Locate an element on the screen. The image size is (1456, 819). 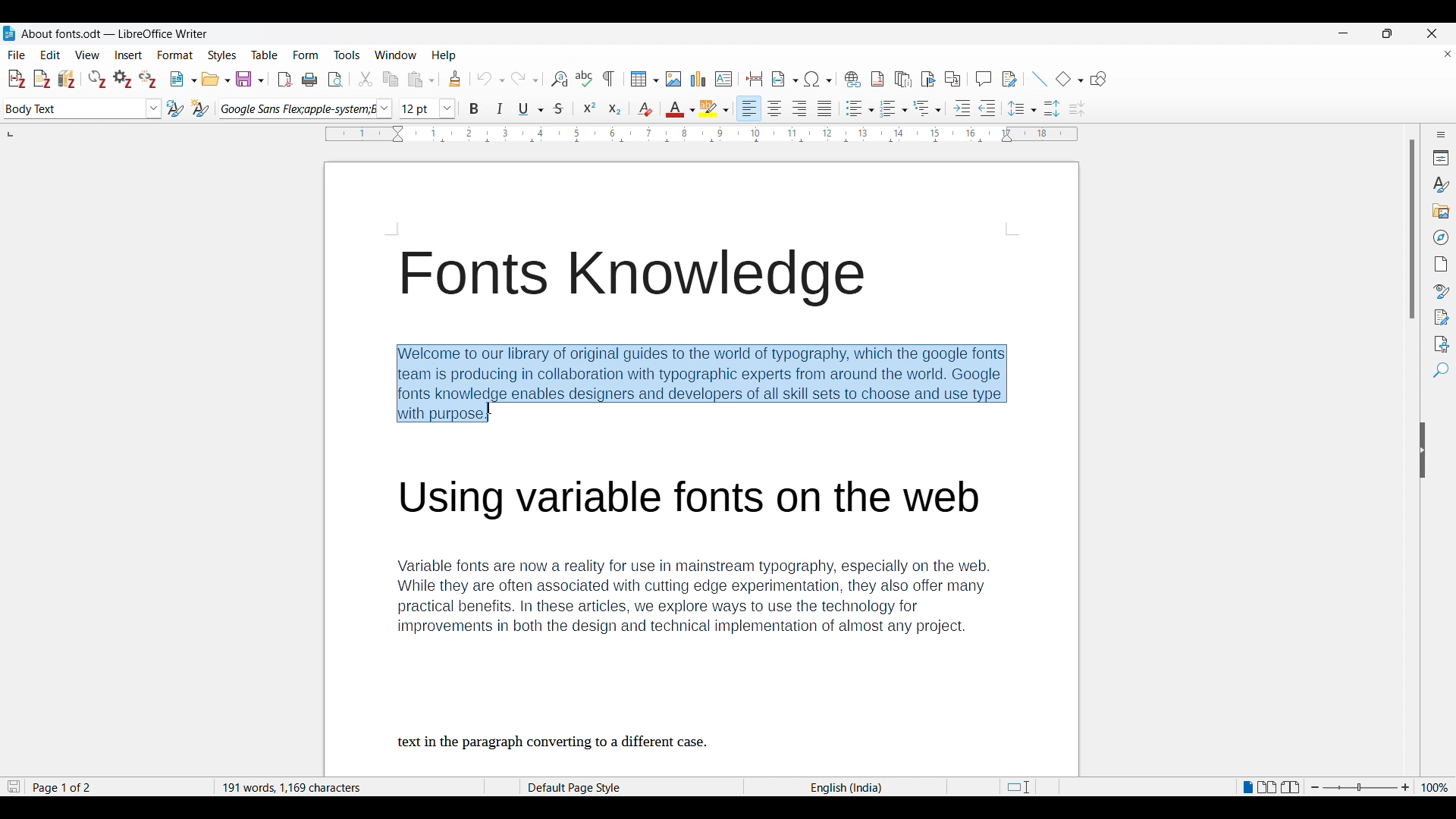
Styles is located at coordinates (1441, 184).